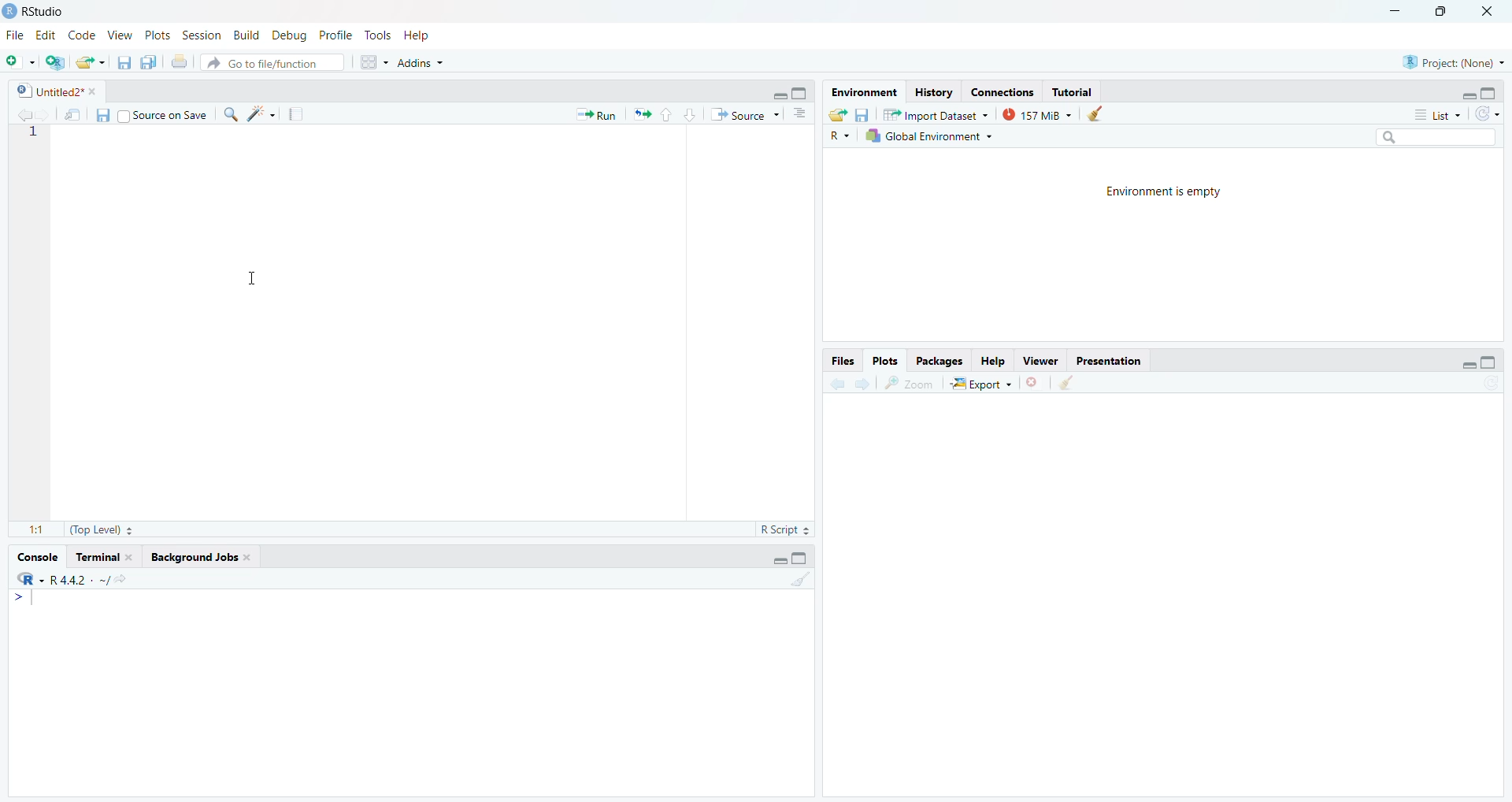 The image size is (1512, 802). Describe the element at coordinates (1489, 363) in the screenshot. I see `maximize` at that location.